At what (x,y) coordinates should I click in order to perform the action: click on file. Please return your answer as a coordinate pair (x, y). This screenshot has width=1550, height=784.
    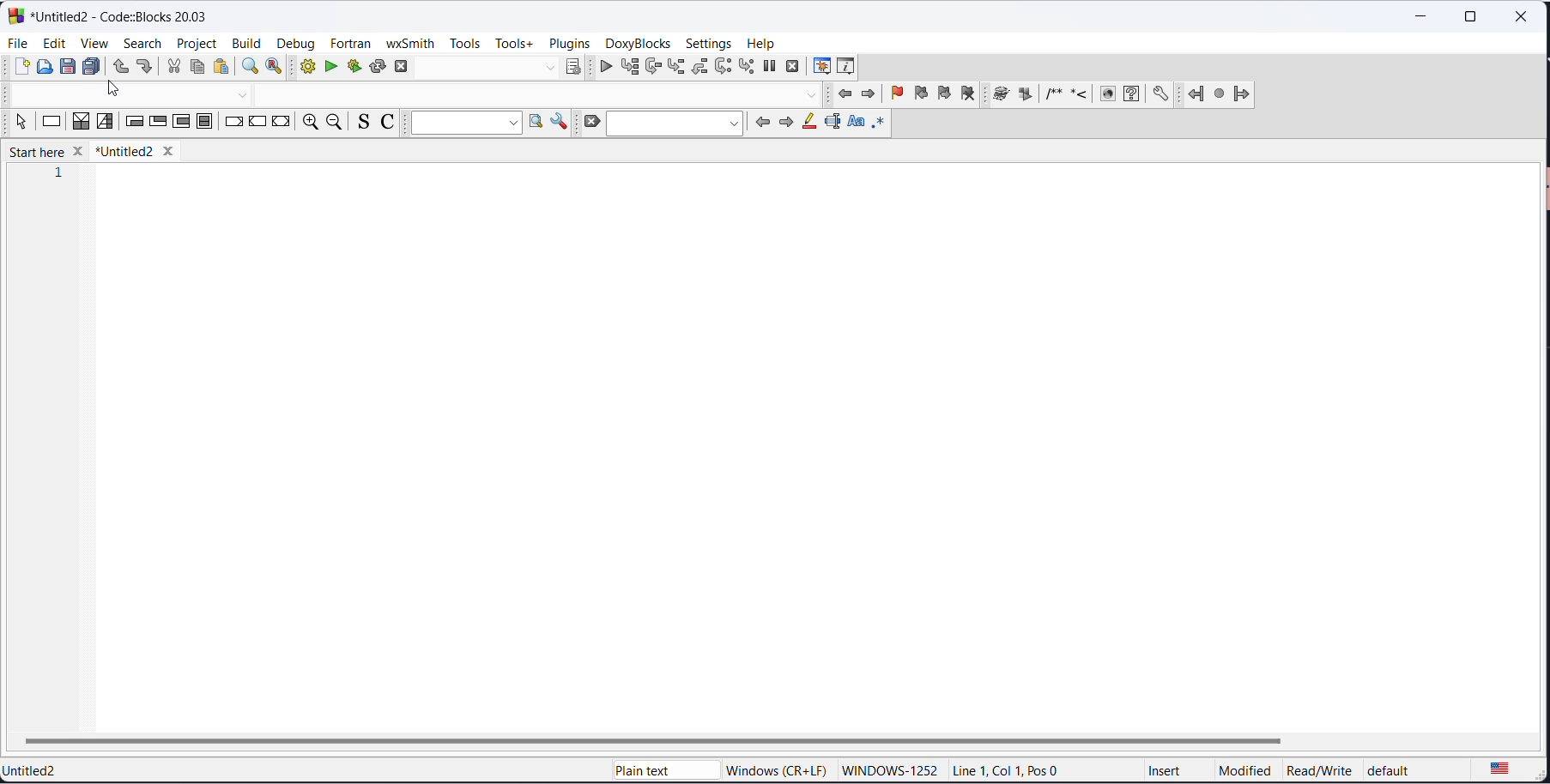
    Looking at the image, I should click on (20, 41).